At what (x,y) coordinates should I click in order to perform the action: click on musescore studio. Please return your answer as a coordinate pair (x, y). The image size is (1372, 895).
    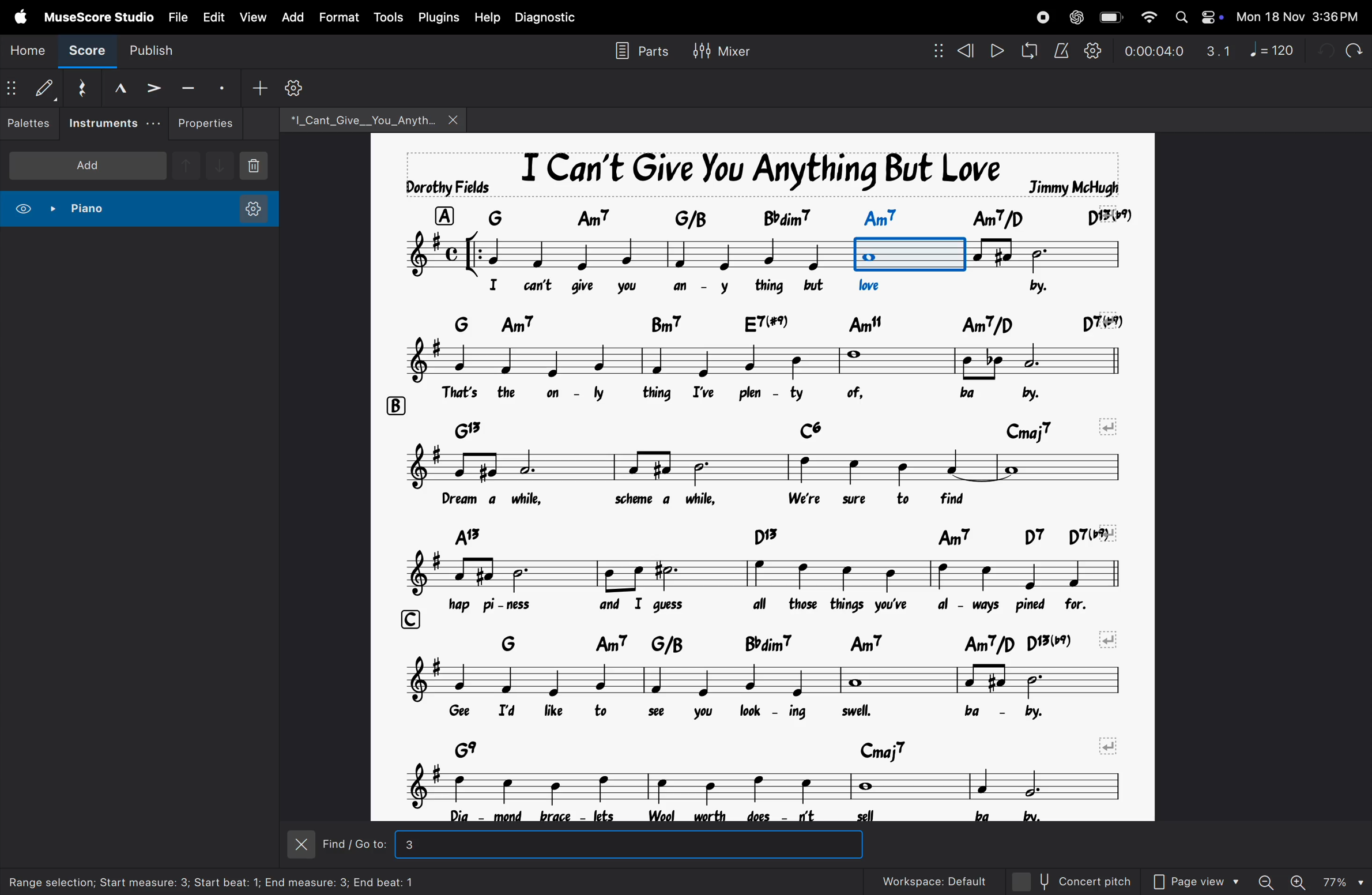
    Looking at the image, I should click on (96, 16).